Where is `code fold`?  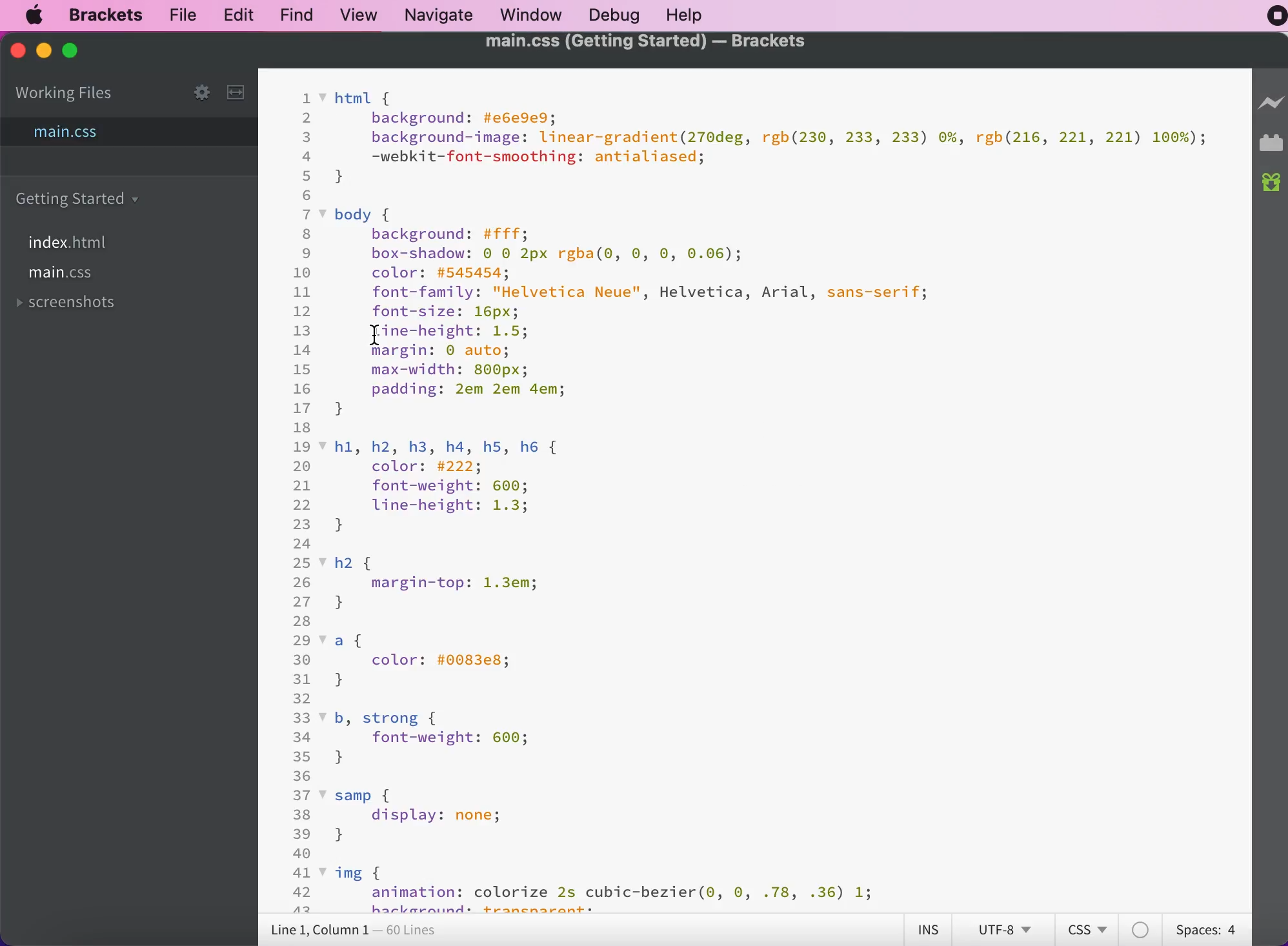
code fold is located at coordinates (323, 561).